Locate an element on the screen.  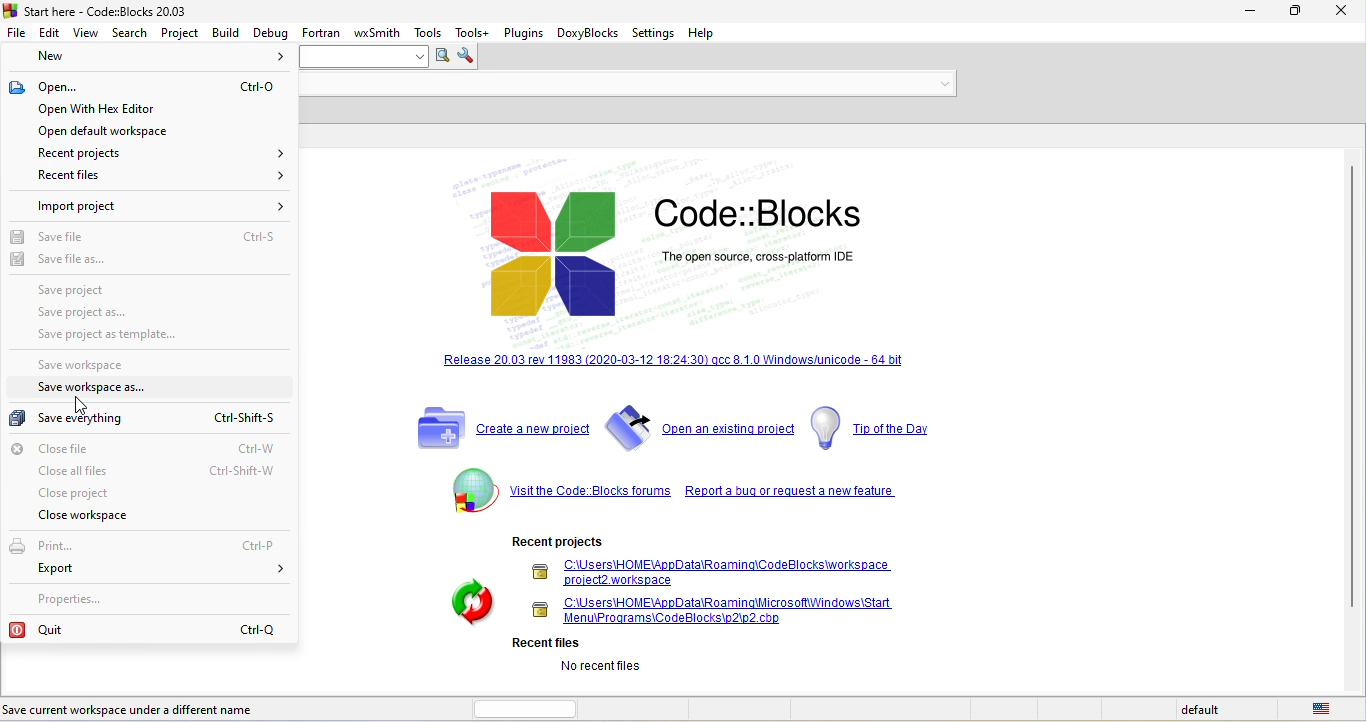
tools++ is located at coordinates (474, 32).